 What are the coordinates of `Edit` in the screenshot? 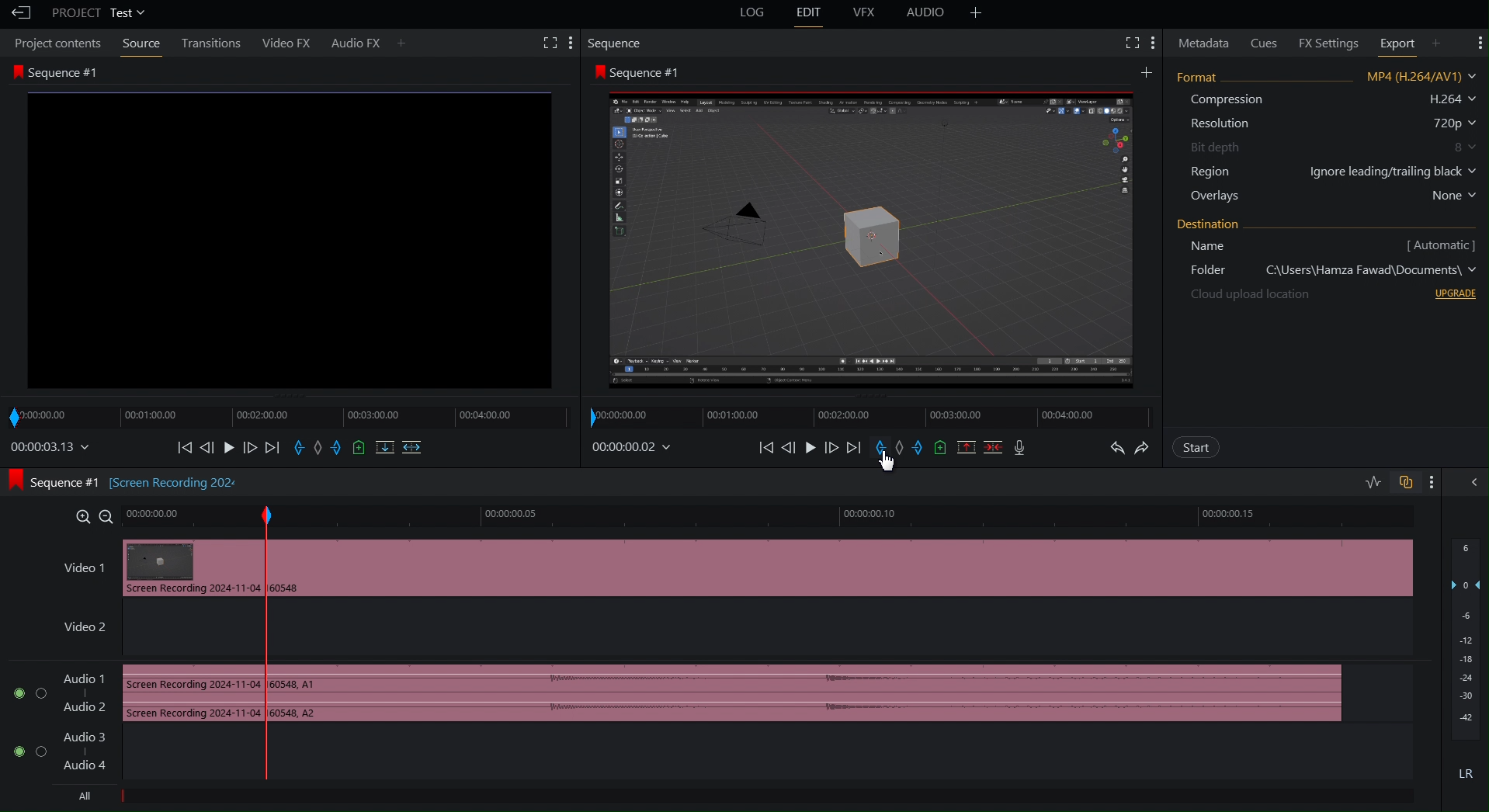 It's located at (810, 14).